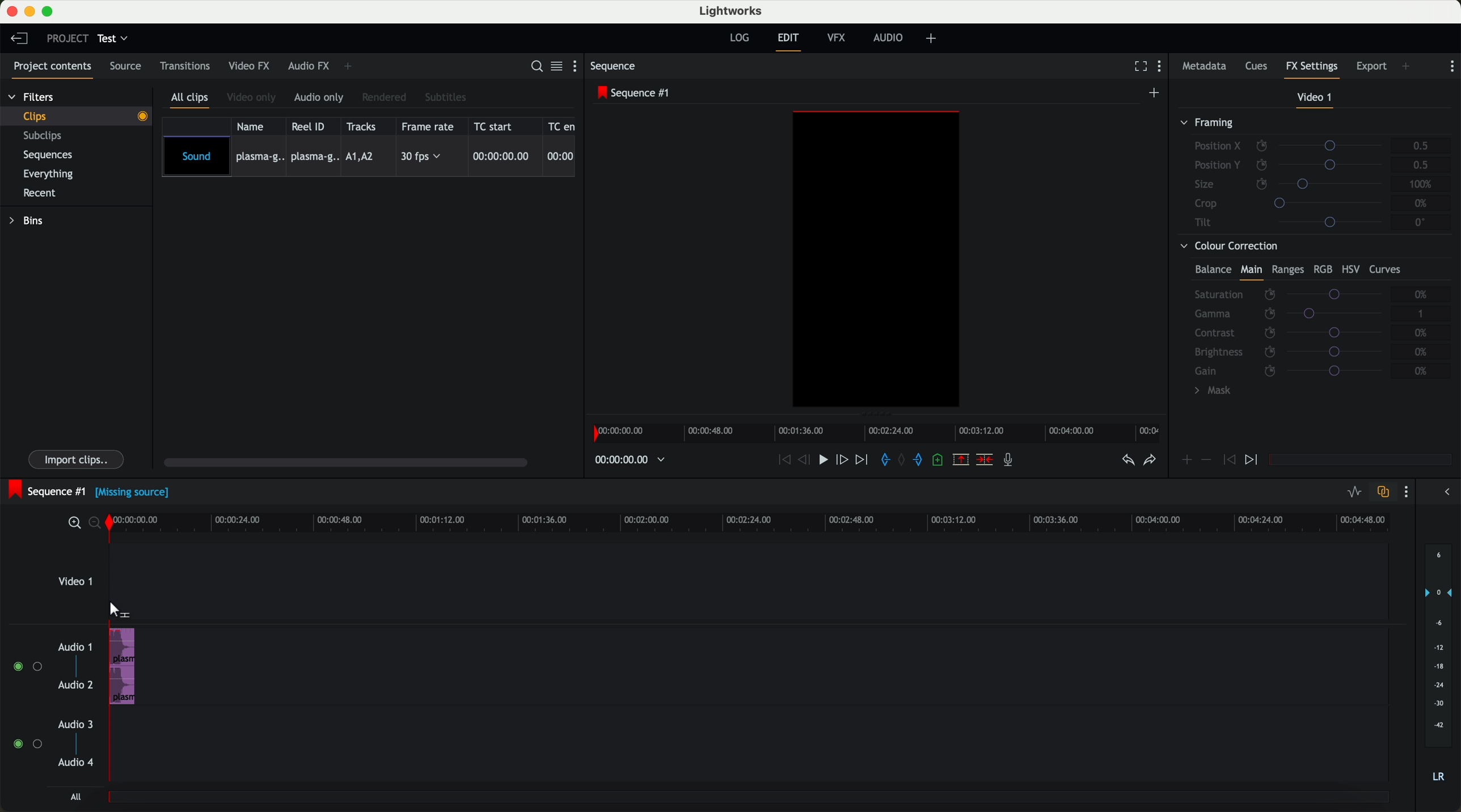 Image resolution: width=1461 pixels, height=812 pixels. Describe the element at coordinates (50, 11) in the screenshot. I see `maximize` at that location.